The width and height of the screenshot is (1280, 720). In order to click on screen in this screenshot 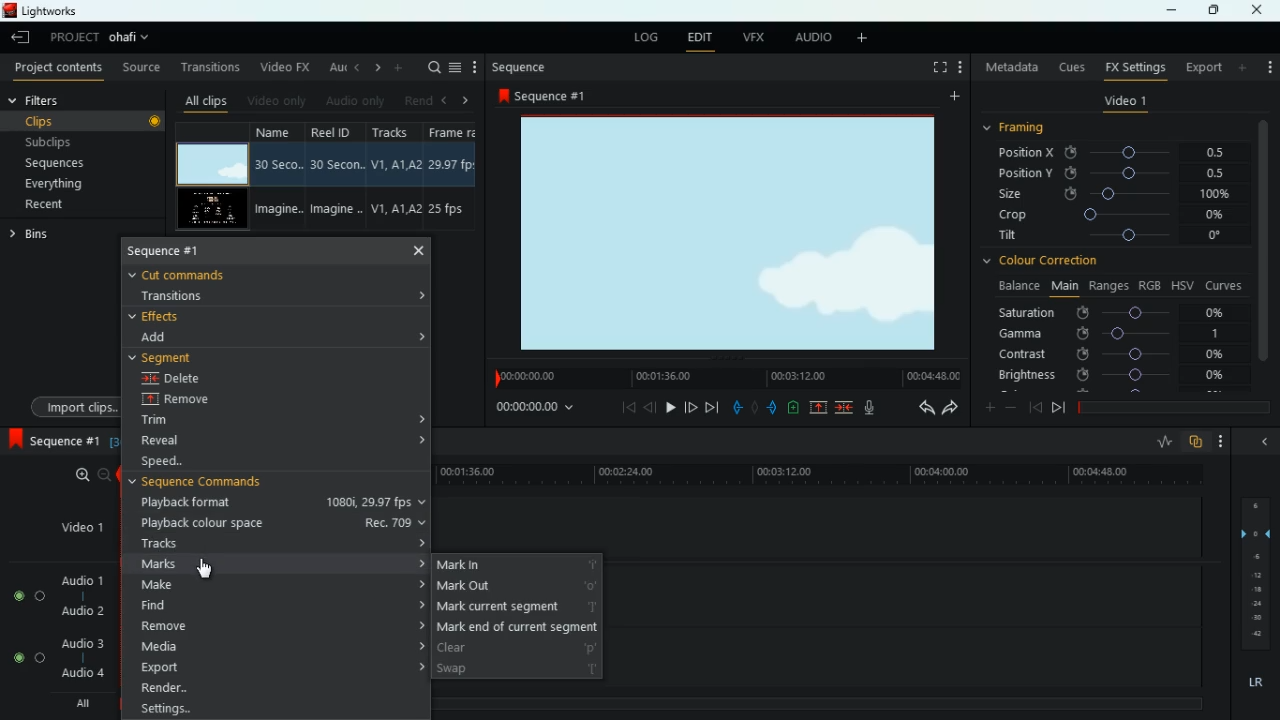, I will do `click(211, 164)`.